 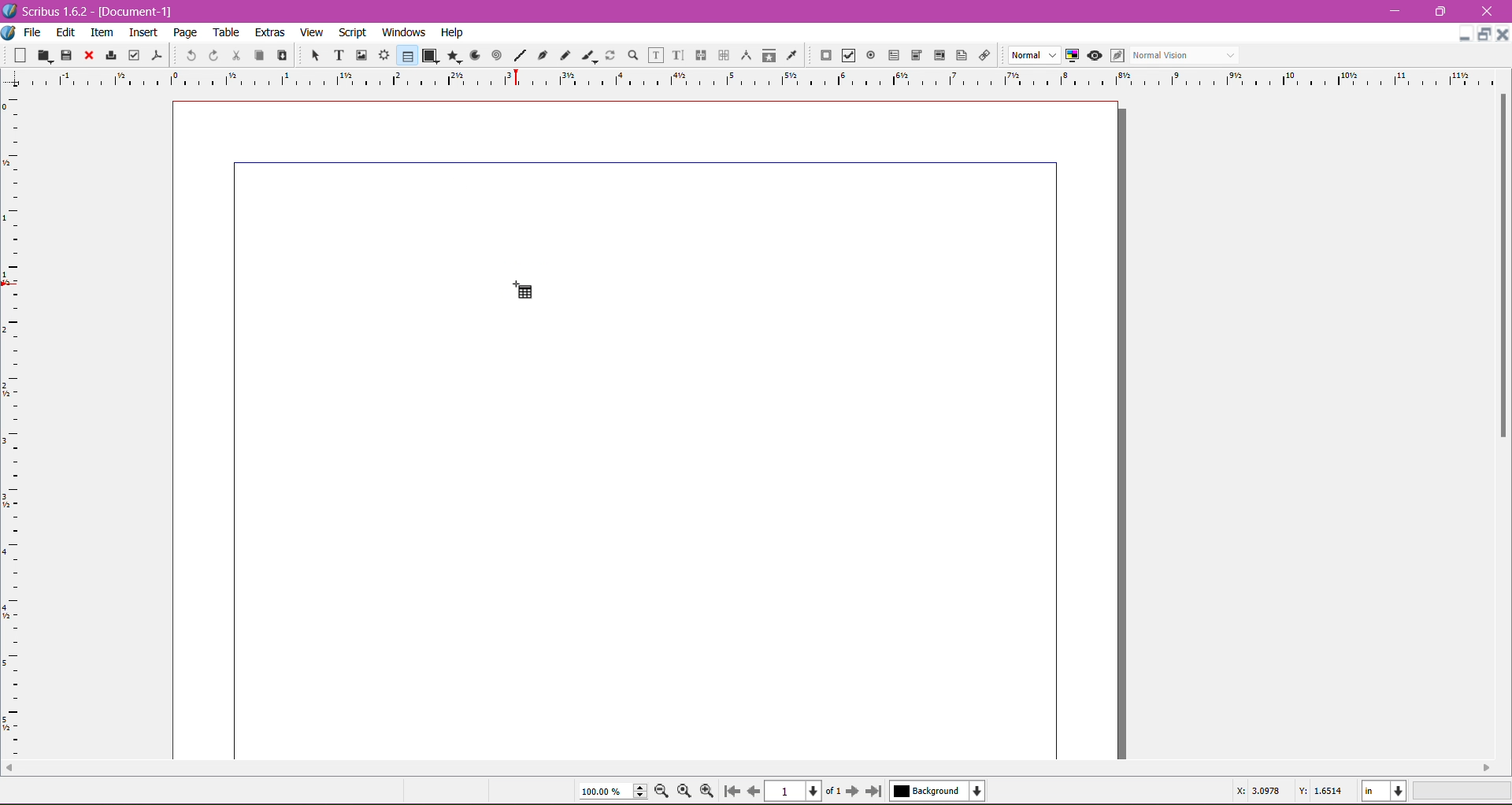 I want to click on Freehand Line, so click(x=565, y=56).